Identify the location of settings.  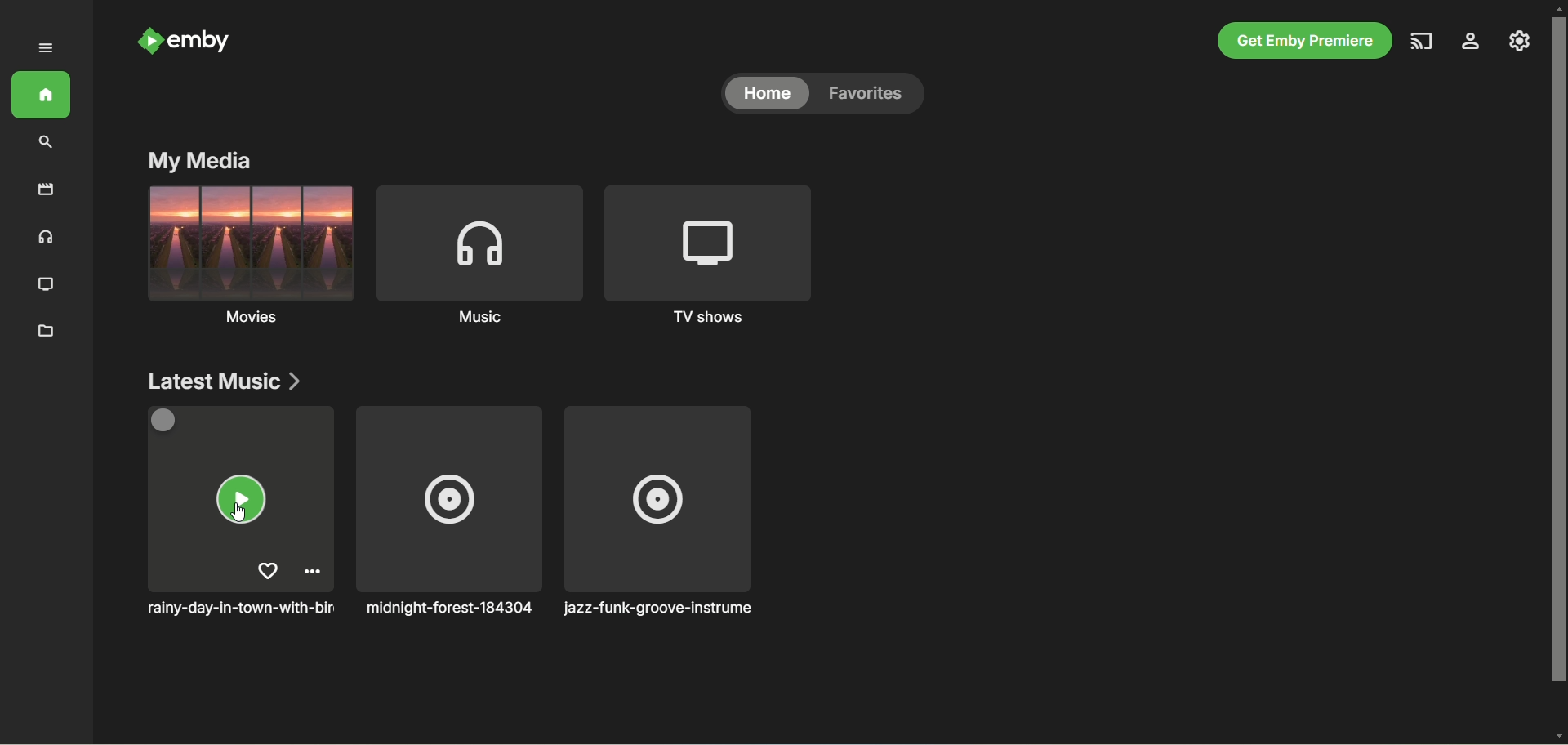
(1472, 43).